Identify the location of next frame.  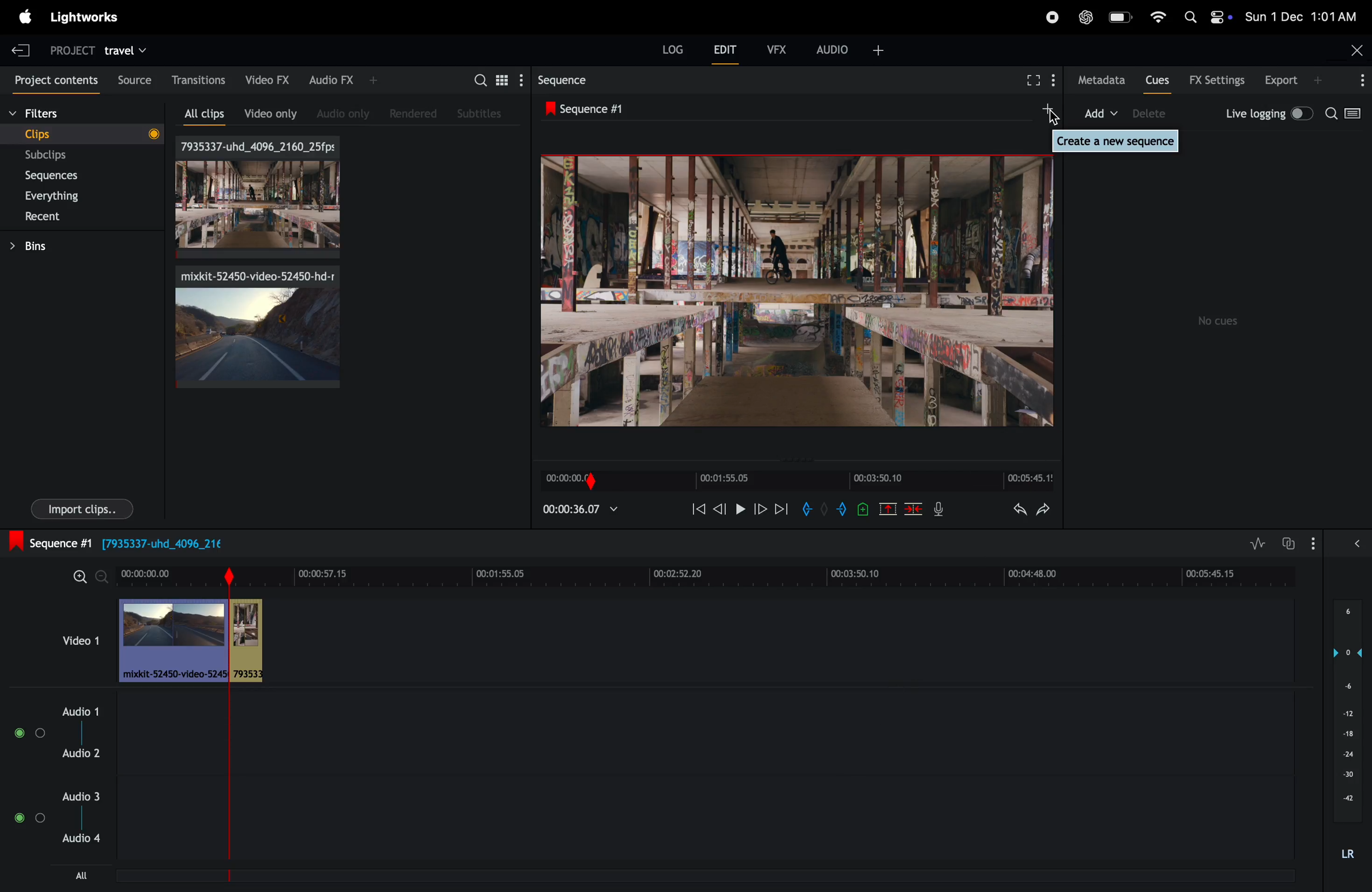
(781, 508).